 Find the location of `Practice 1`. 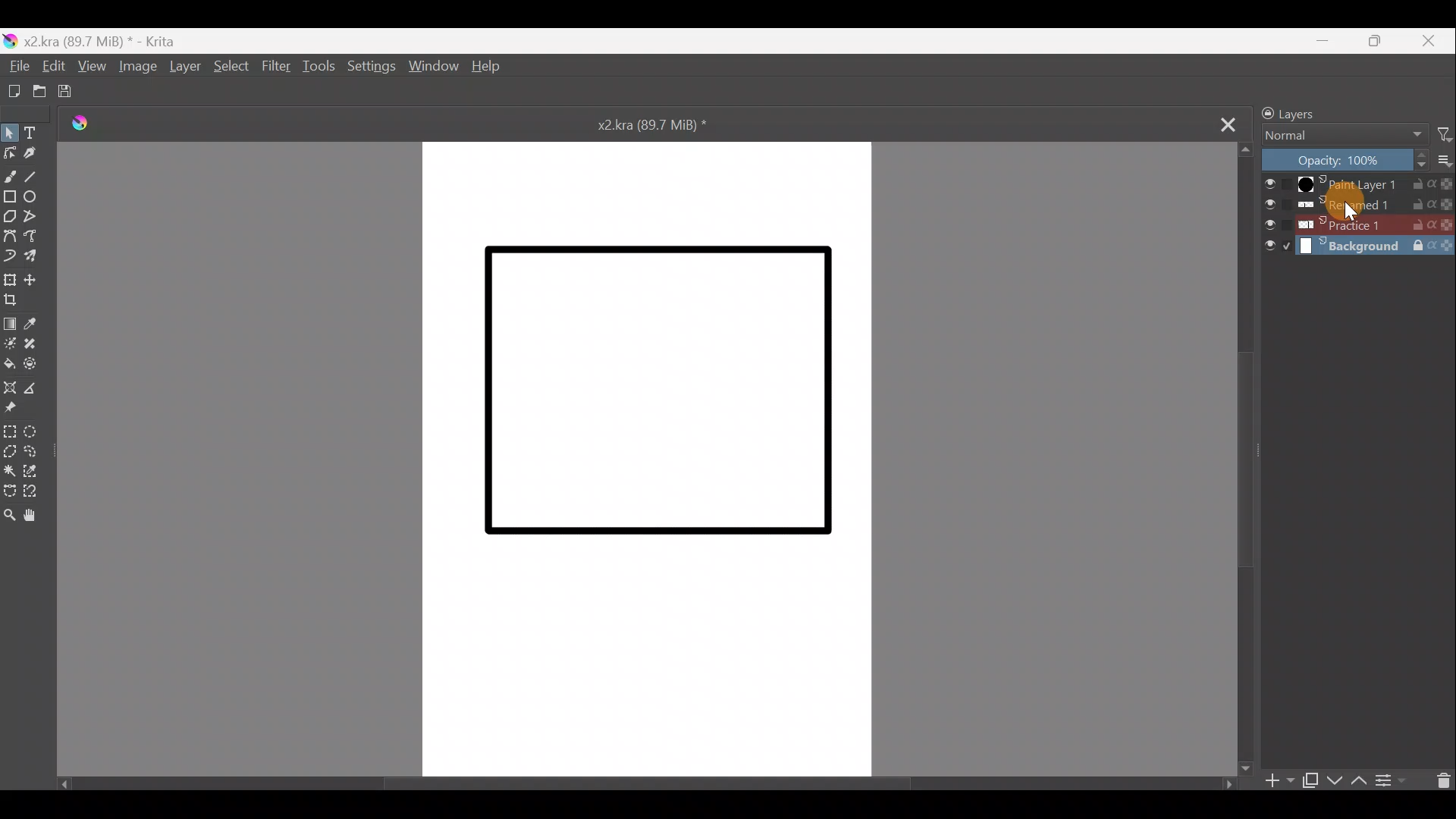

Practice 1 is located at coordinates (1357, 224).